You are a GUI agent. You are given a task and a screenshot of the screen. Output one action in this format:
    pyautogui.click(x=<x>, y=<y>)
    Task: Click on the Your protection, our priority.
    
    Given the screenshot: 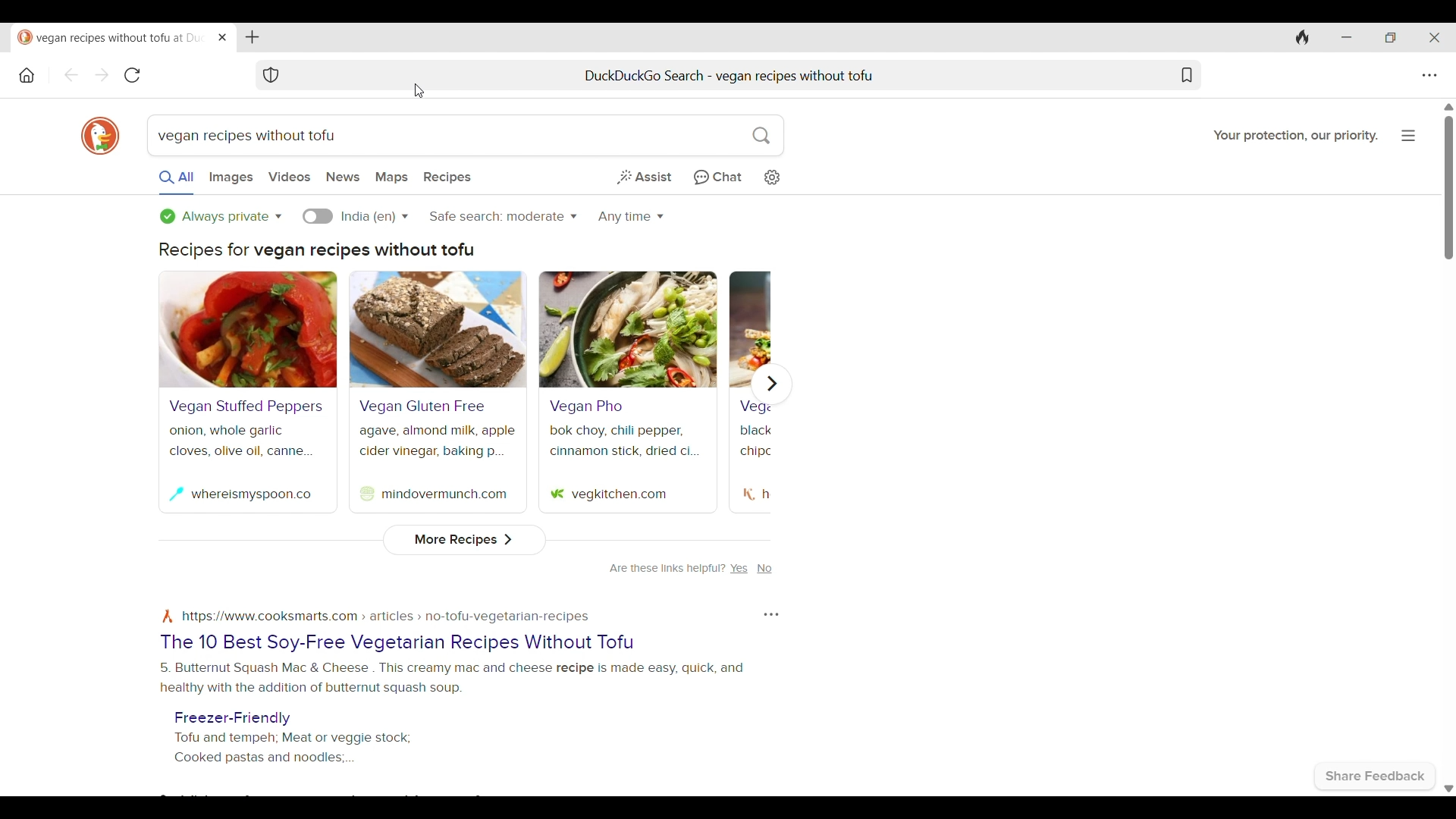 What is the action you would take?
    pyautogui.click(x=1296, y=136)
    